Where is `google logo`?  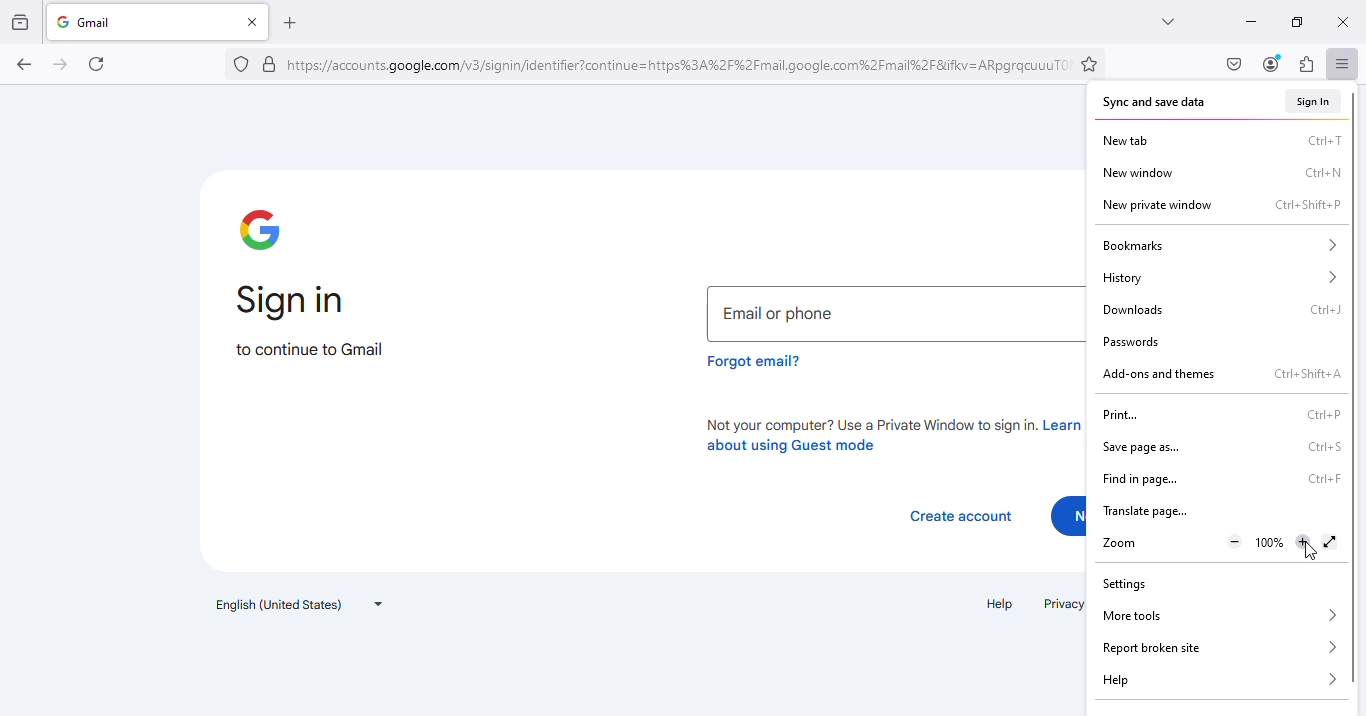
google logo is located at coordinates (261, 229).